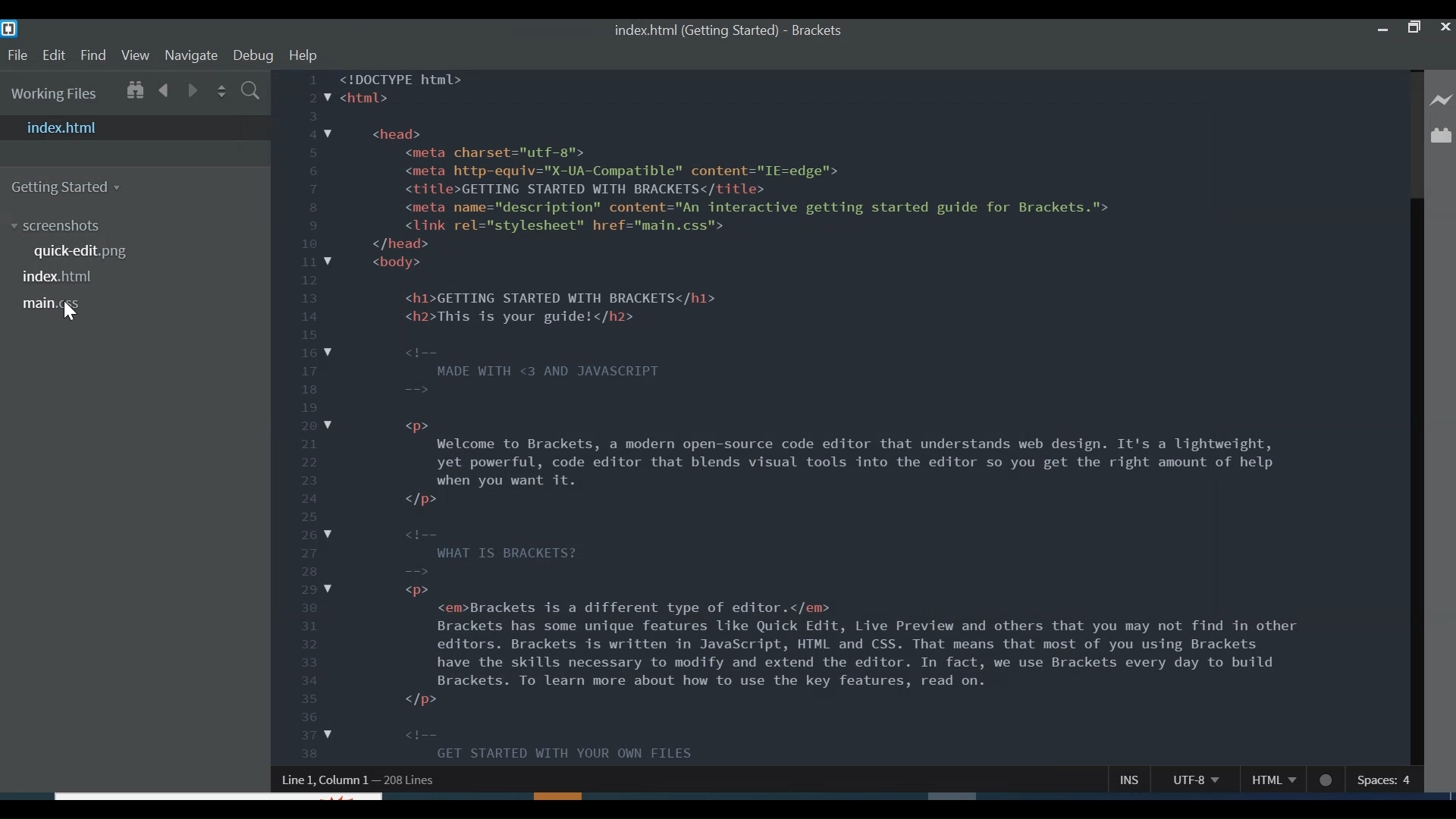  Describe the element at coordinates (93, 55) in the screenshot. I see `Find` at that location.